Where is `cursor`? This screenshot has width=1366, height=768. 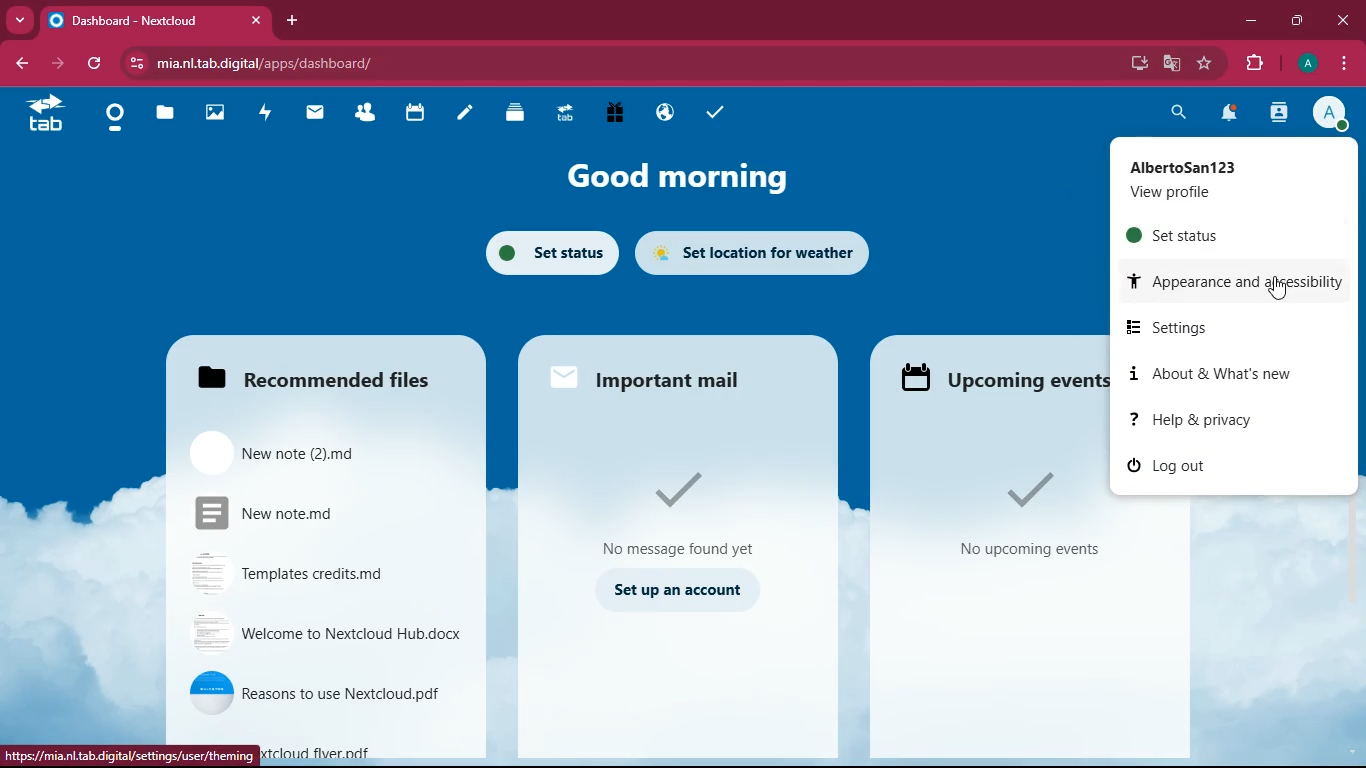 cursor is located at coordinates (1272, 289).